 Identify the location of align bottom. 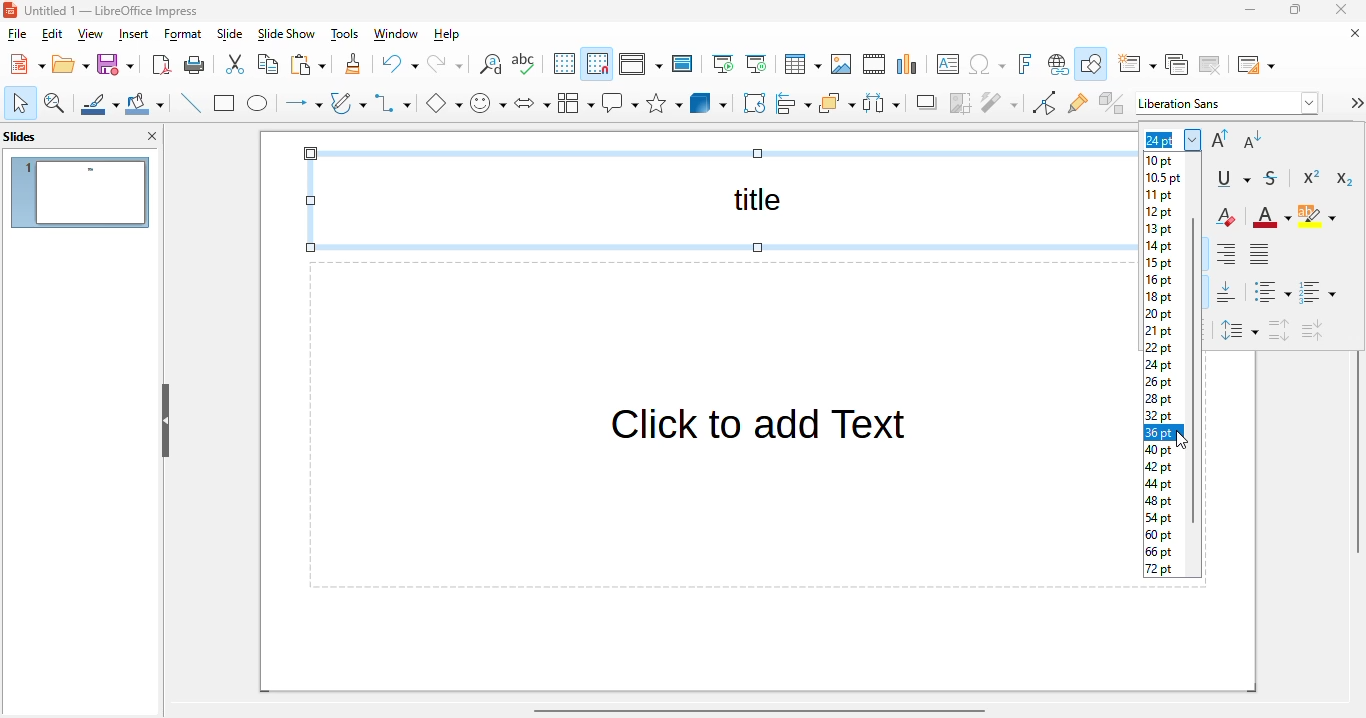
(1227, 292).